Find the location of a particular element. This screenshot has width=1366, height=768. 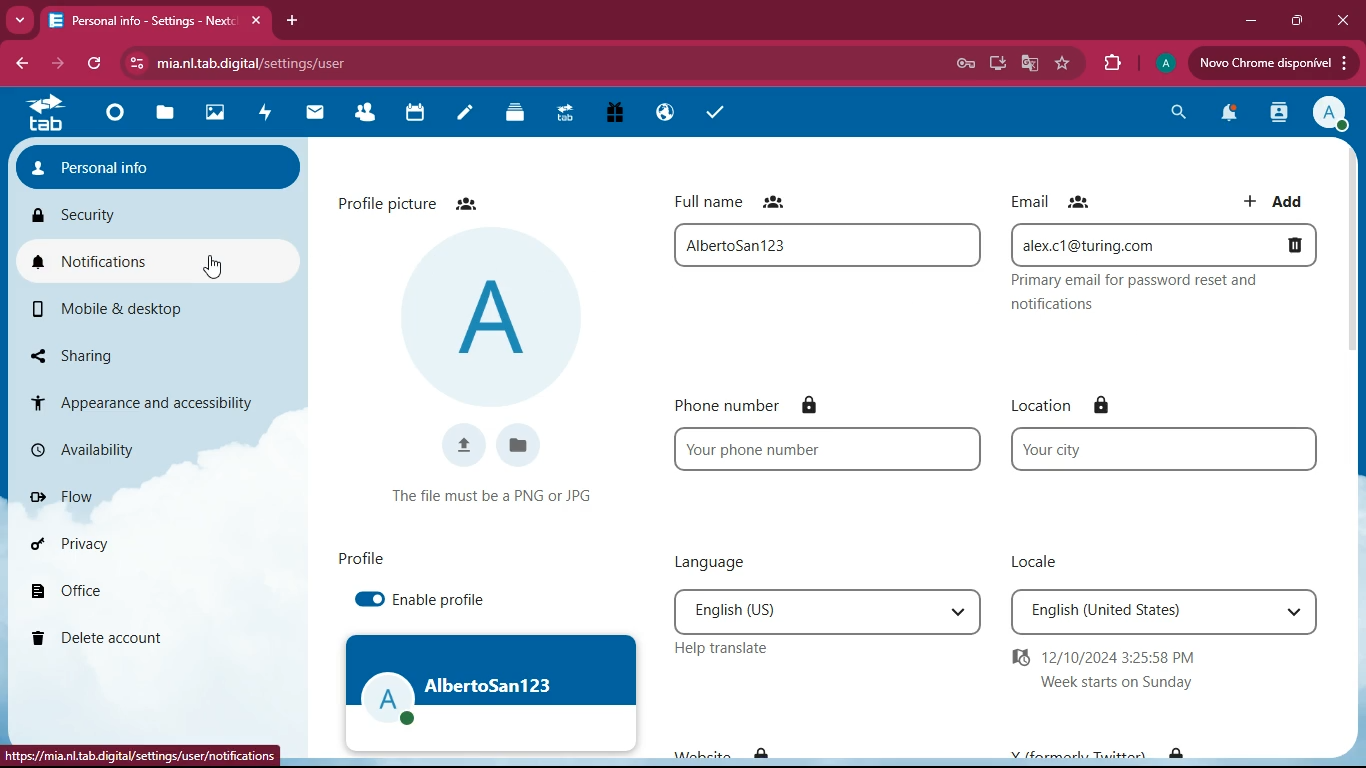

personal info is located at coordinates (161, 162).